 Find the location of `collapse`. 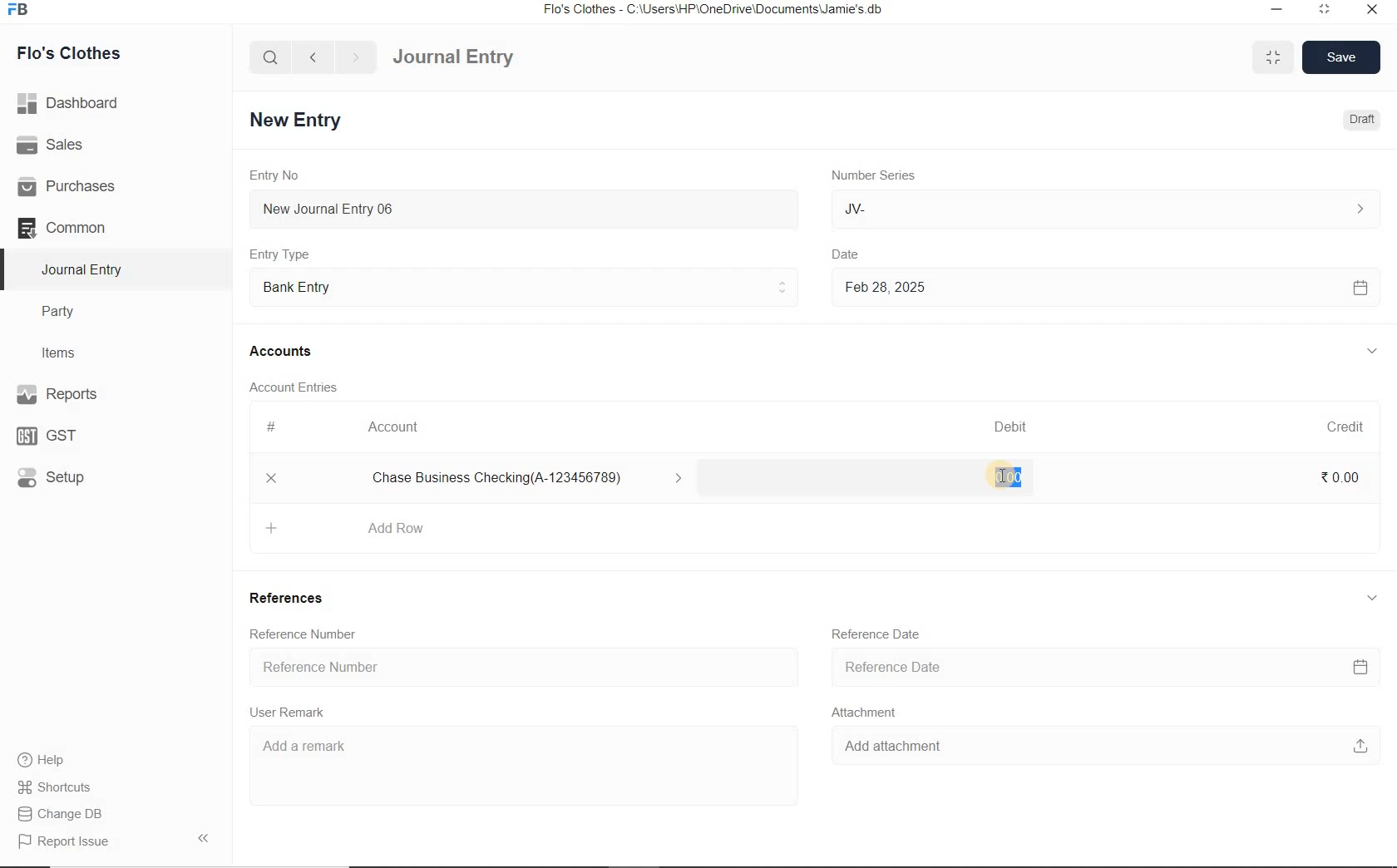

collapse is located at coordinates (1372, 352).